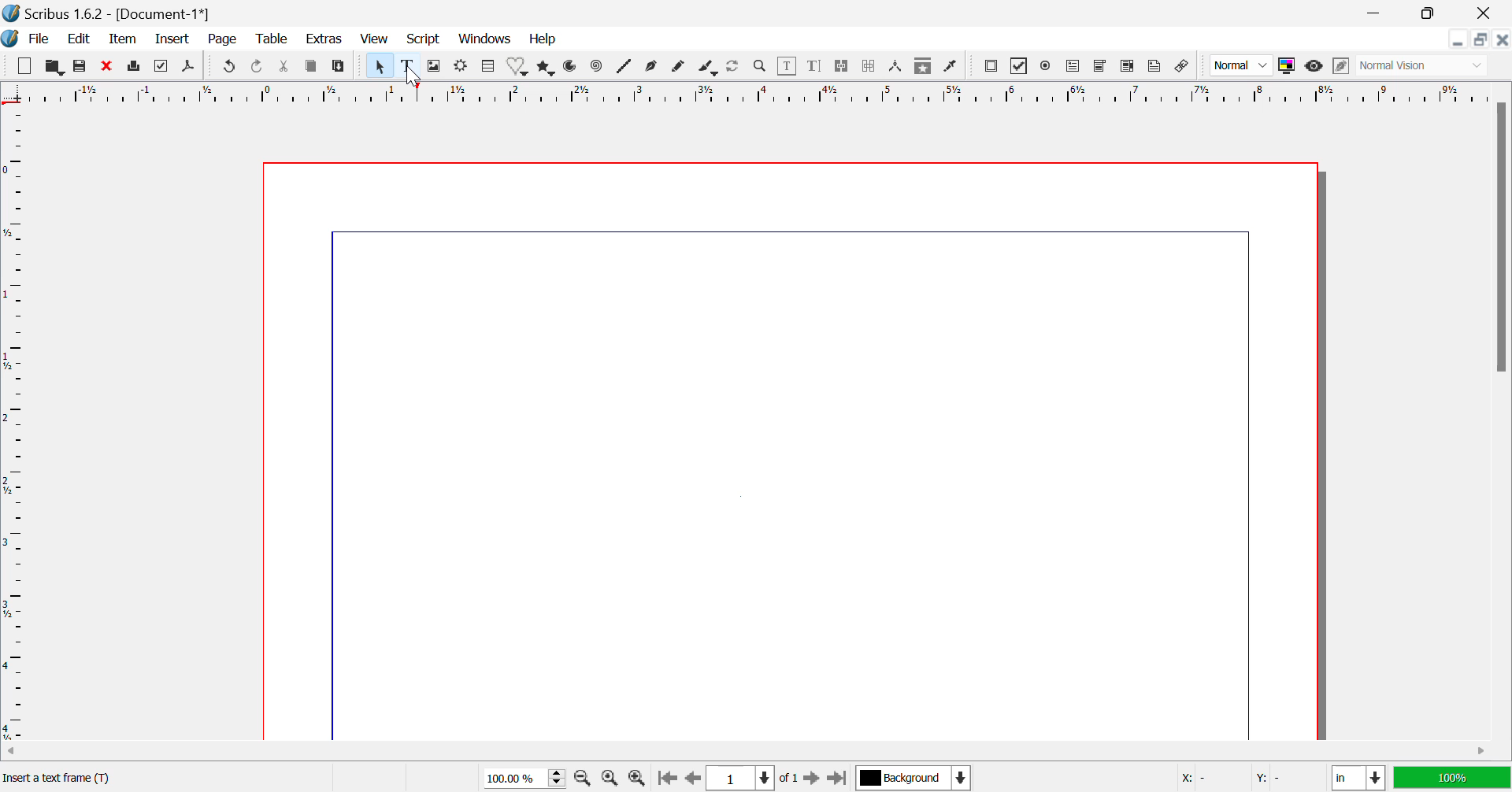 Image resolution: width=1512 pixels, height=792 pixels. I want to click on Pdf Push button, so click(991, 68).